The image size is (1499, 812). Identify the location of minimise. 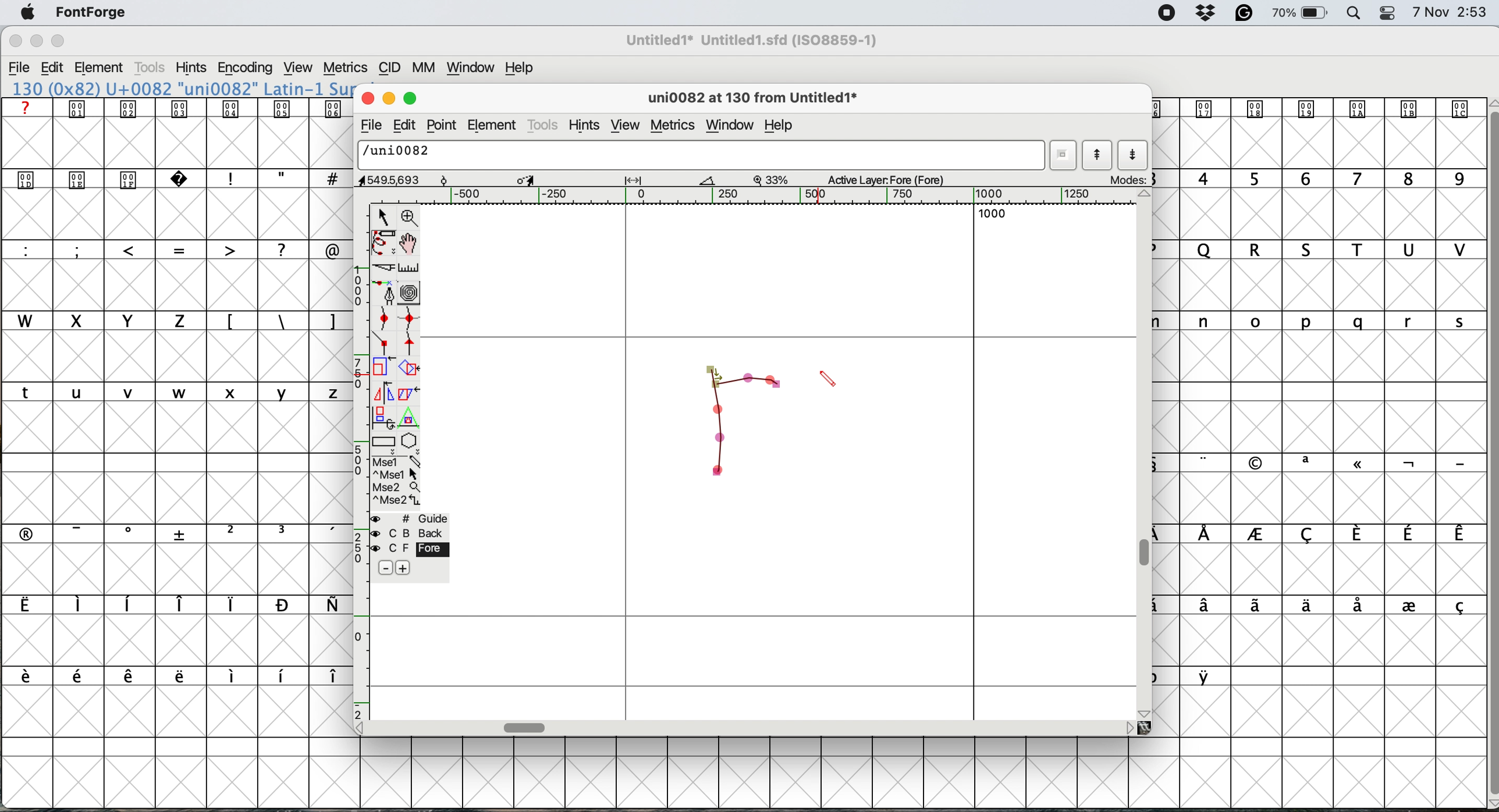
(389, 99).